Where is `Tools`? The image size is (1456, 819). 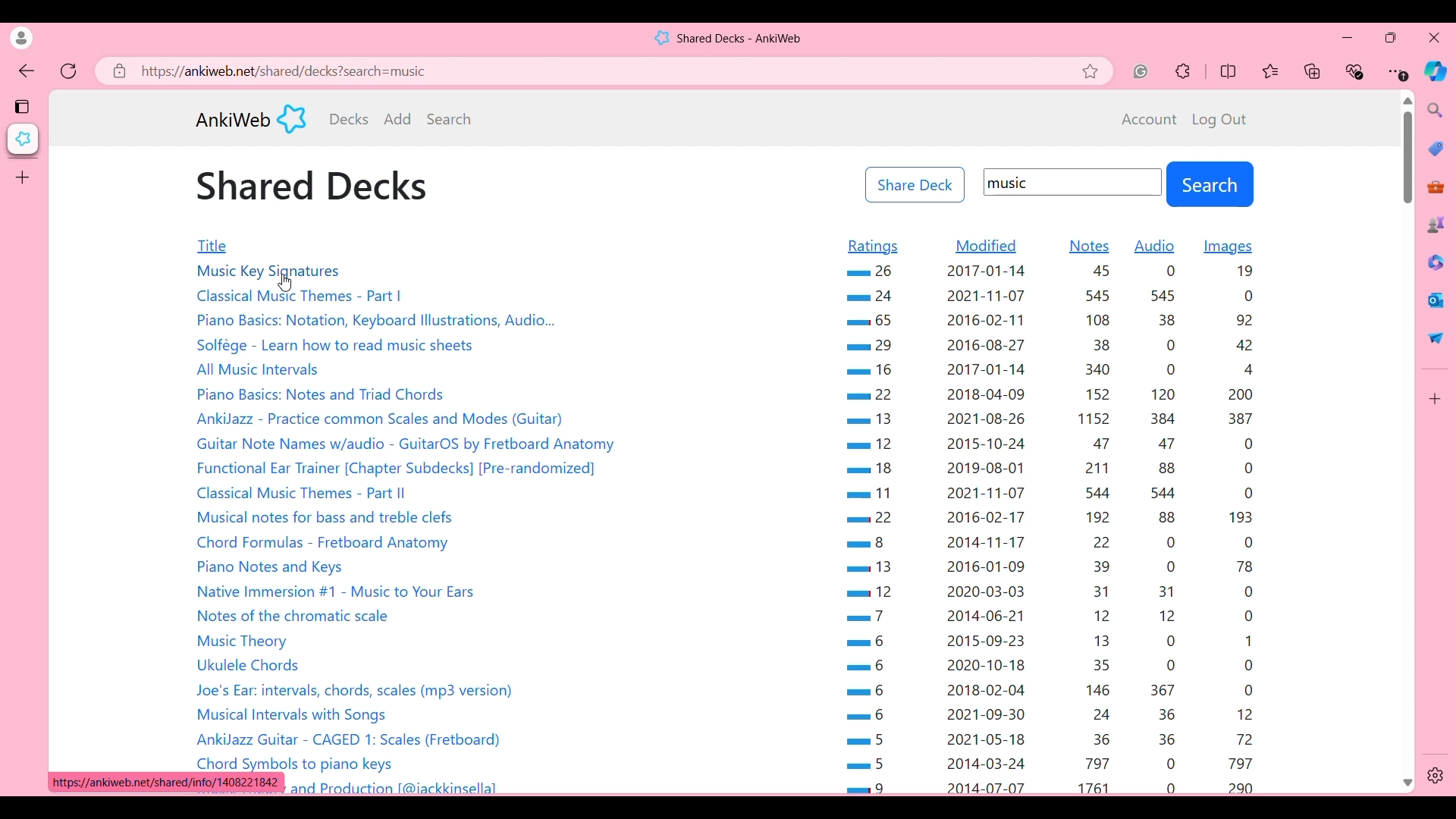
Tools is located at coordinates (1436, 187).